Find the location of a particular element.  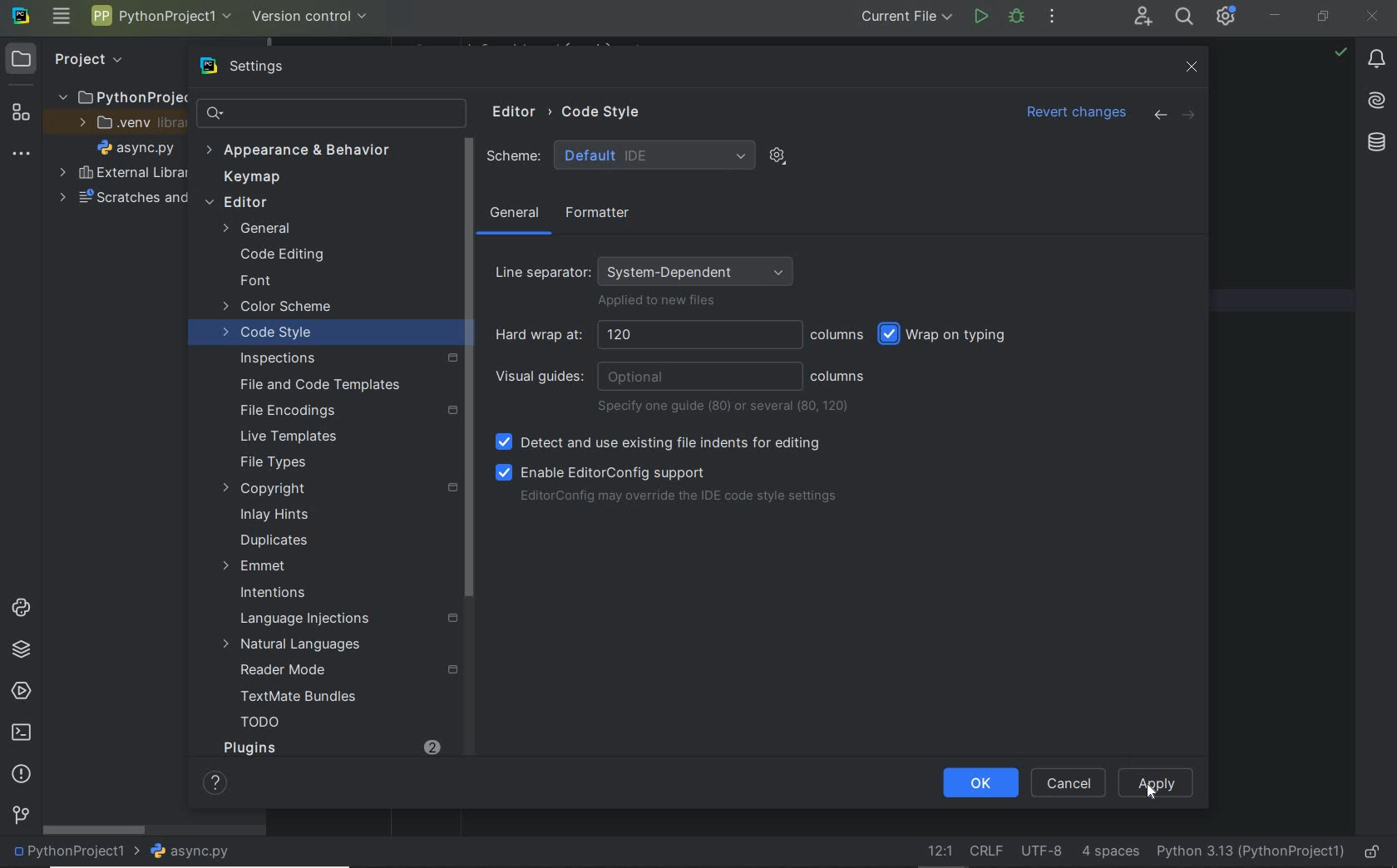

Scheme is located at coordinates (620, 155).